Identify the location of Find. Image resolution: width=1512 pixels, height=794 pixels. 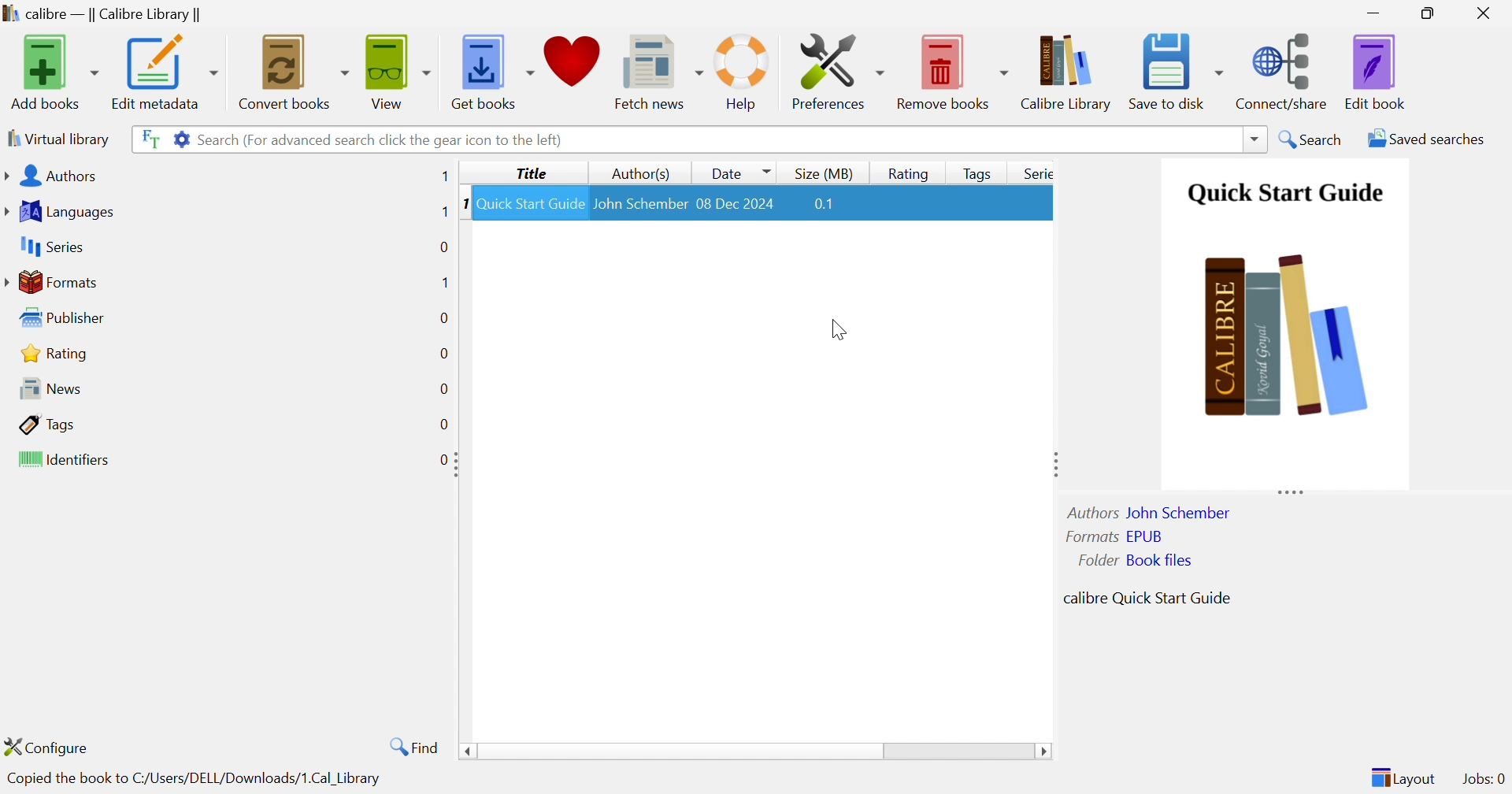
(416, 747).